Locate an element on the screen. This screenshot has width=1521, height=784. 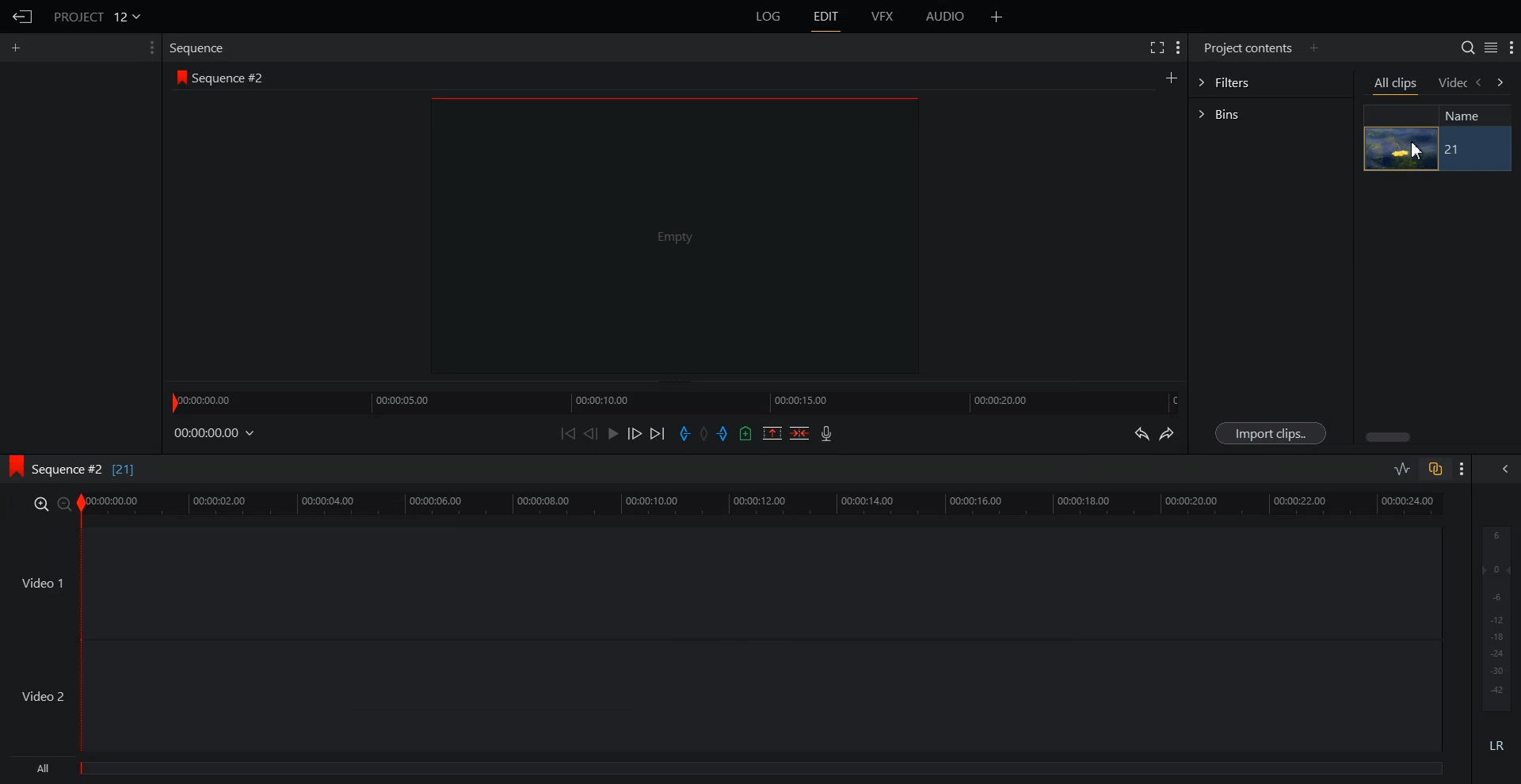
Undo is located at coordinates (1141, 433).